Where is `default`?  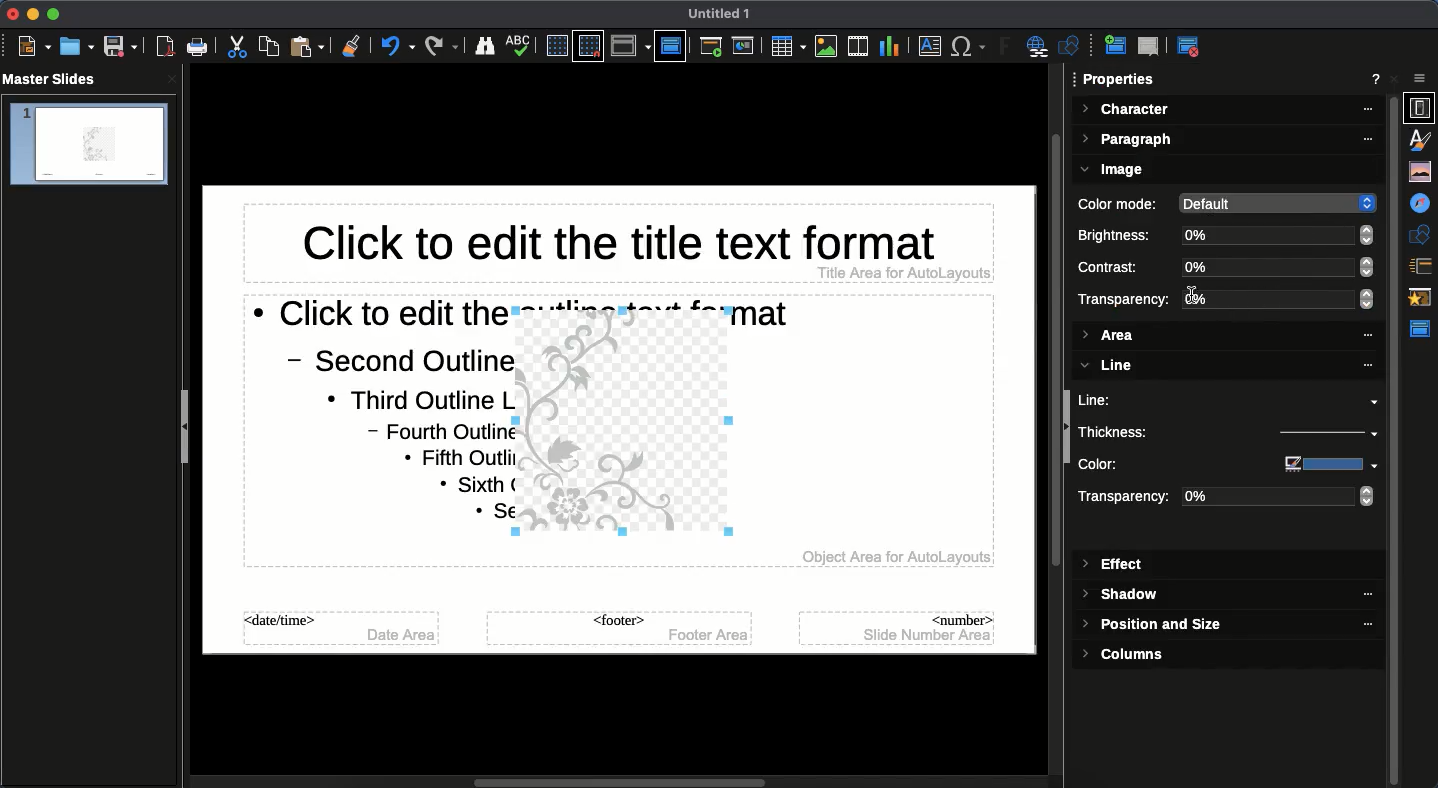 default is located at coordinates (1274, 202).